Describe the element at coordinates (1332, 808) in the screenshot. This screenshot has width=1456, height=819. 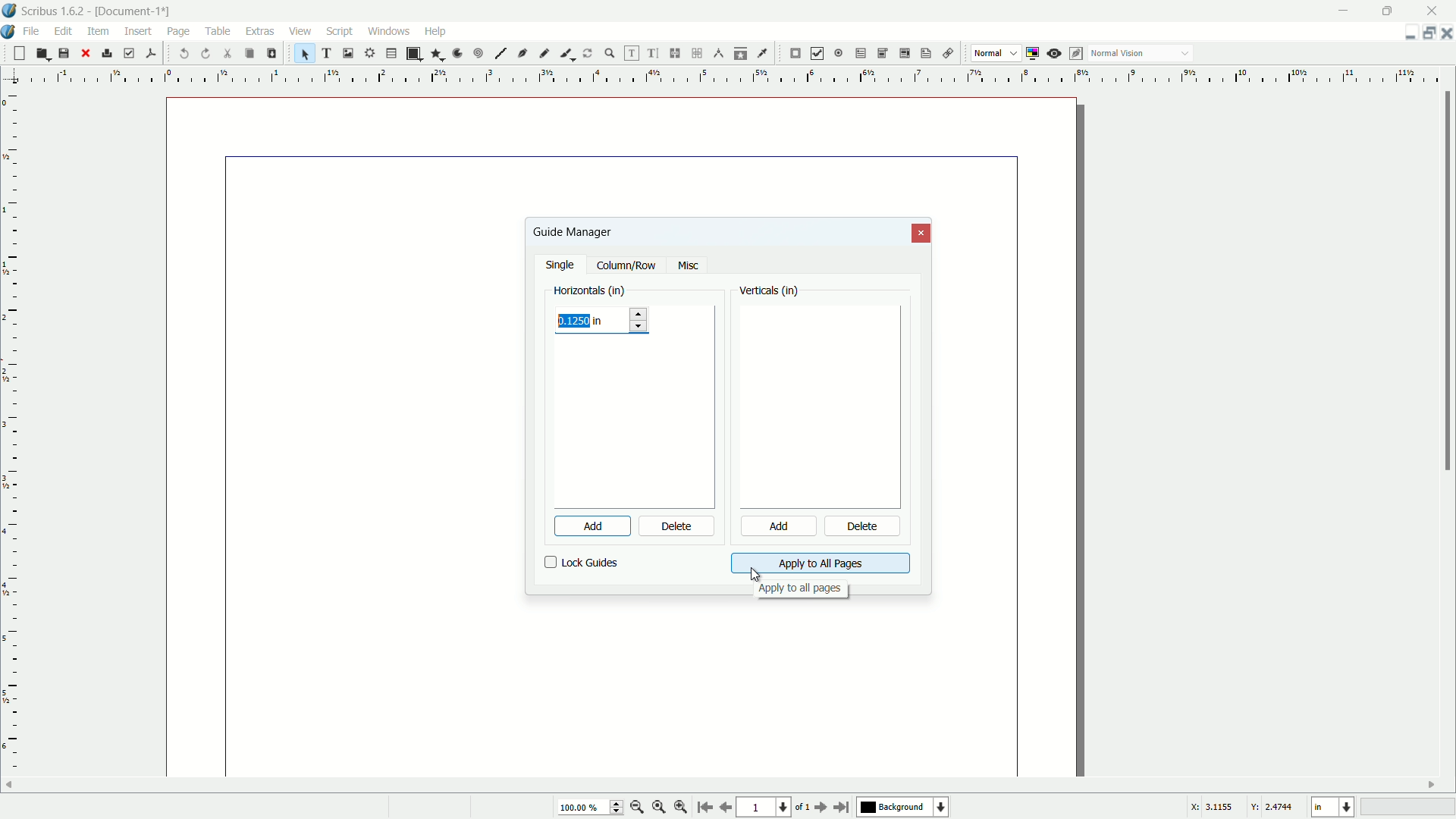
I see `select current unit` at that location.